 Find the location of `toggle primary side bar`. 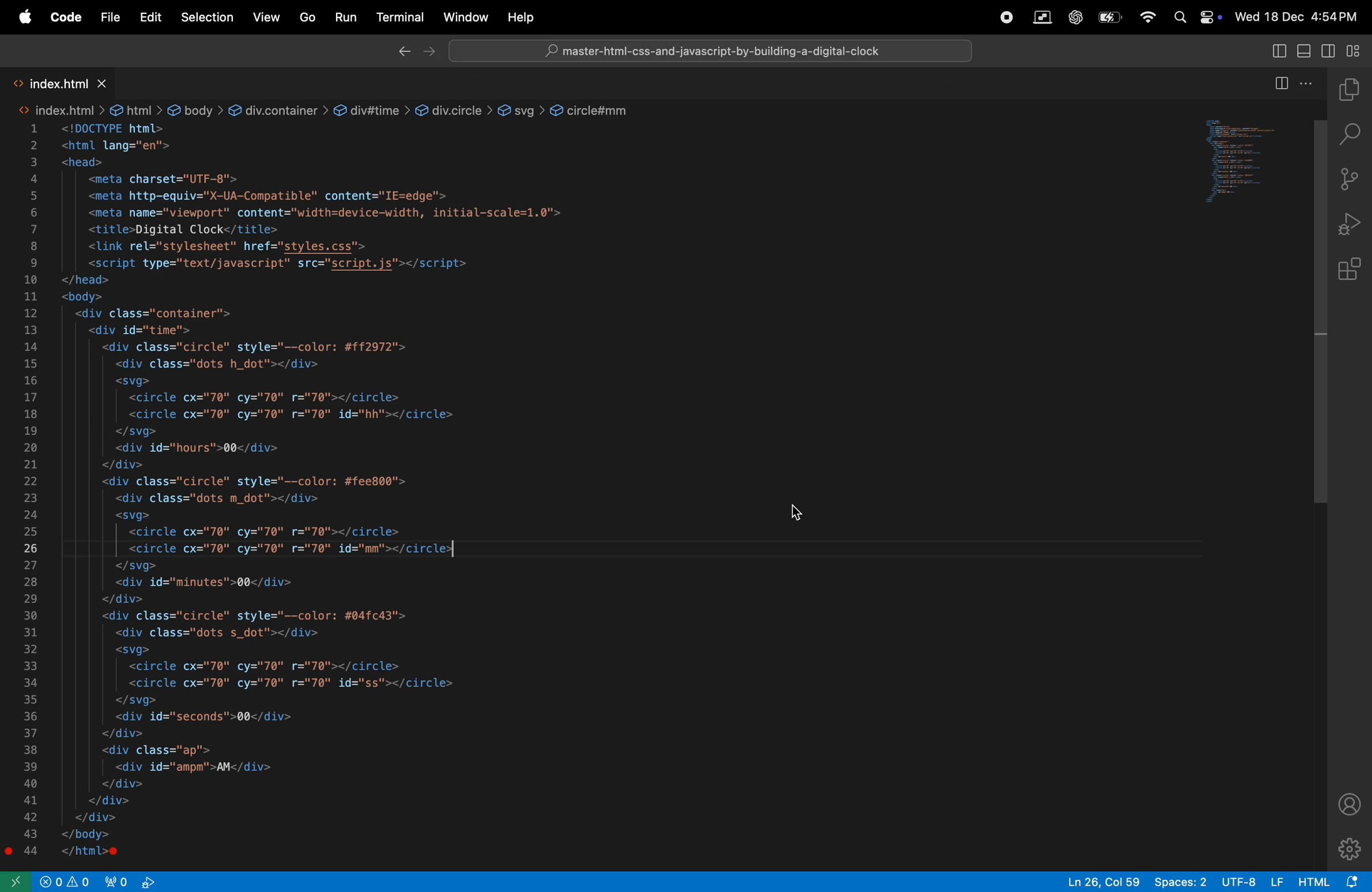

toggle primary side bar is located at coordinates (1278, 50).